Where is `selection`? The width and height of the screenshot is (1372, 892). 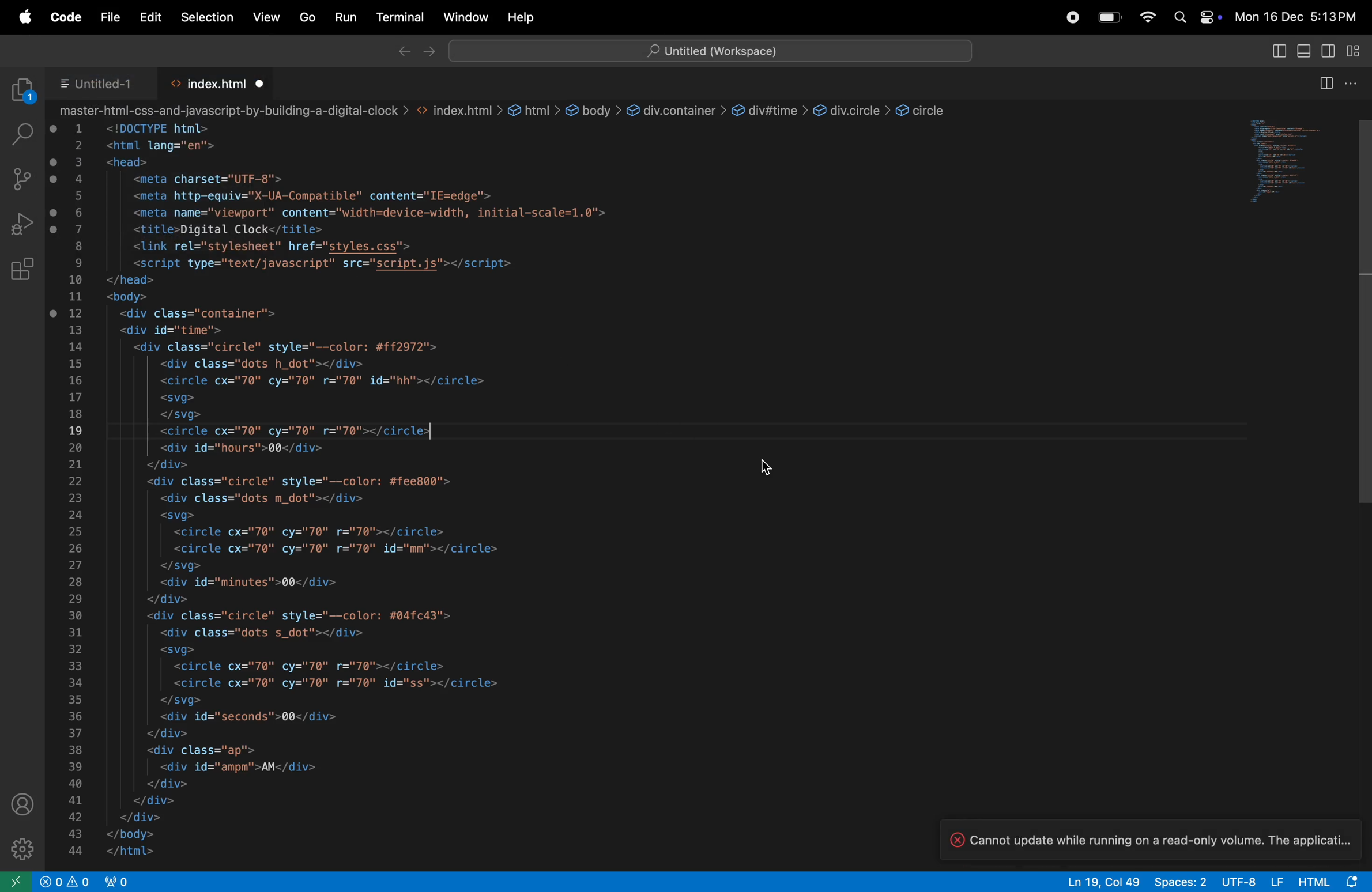 selection is located at coordinates (209, 18).